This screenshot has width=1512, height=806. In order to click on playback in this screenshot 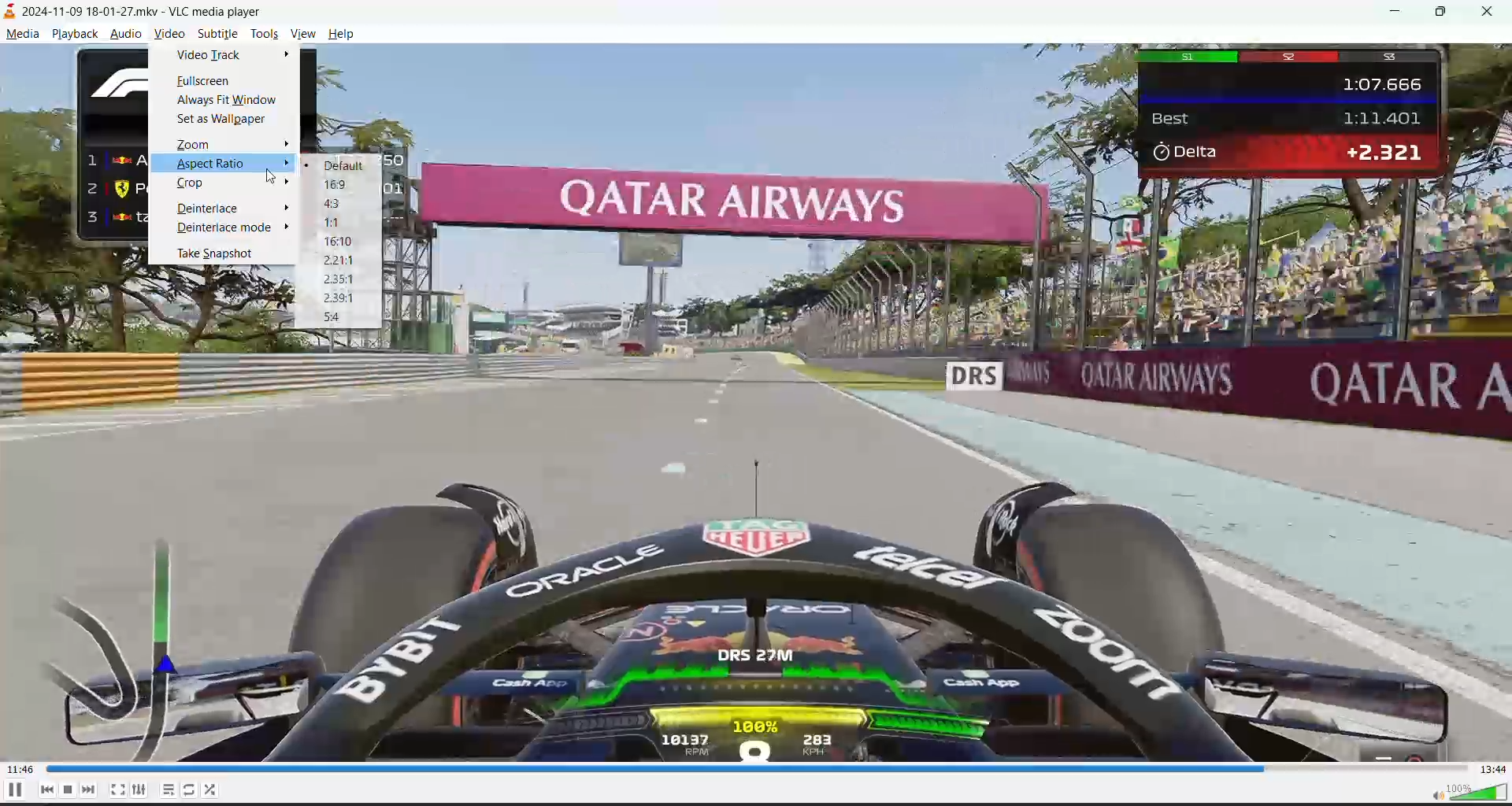, I will do `click(78, 35)`.